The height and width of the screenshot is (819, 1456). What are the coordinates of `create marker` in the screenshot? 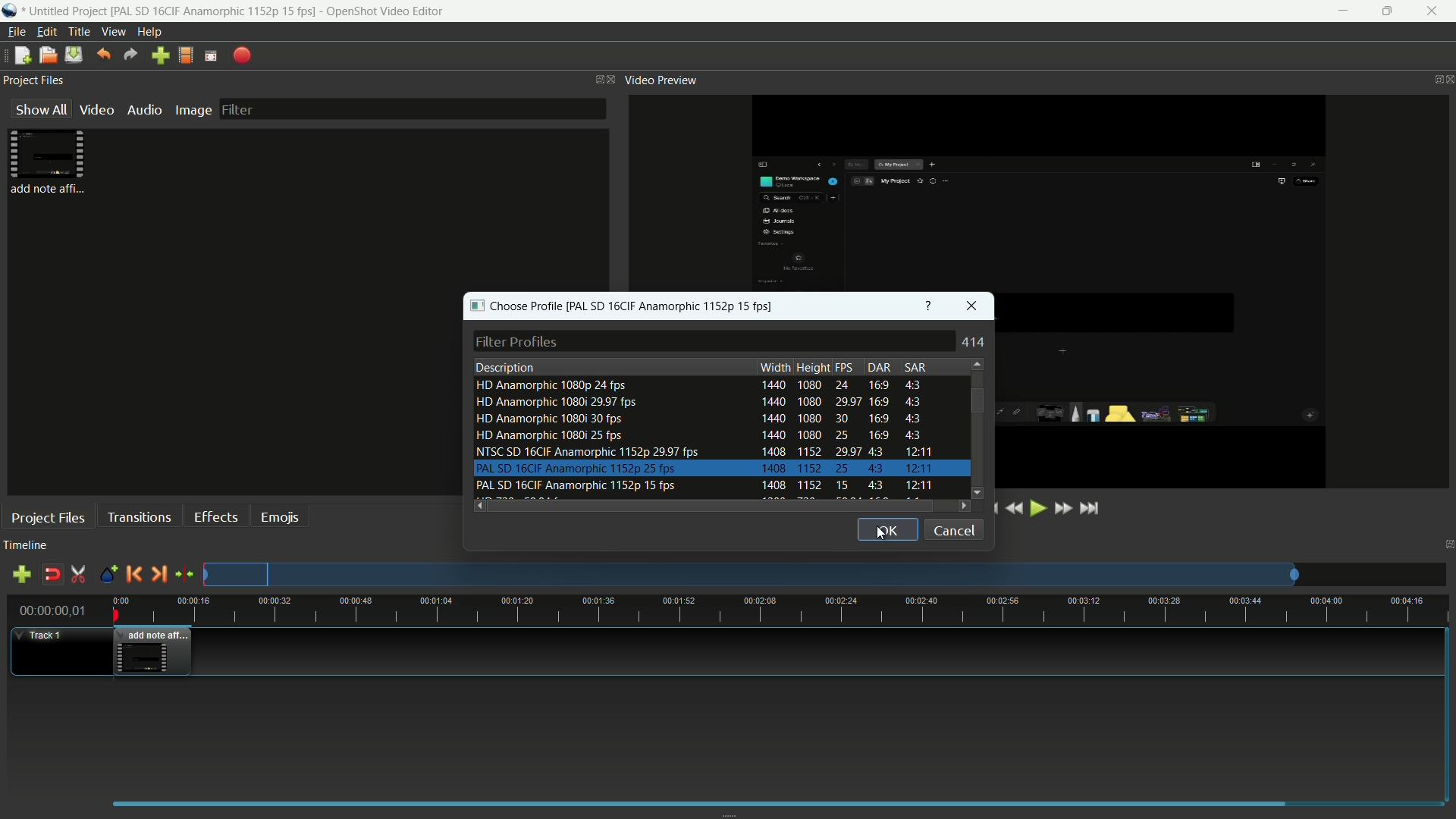 It's located at (108, 575).